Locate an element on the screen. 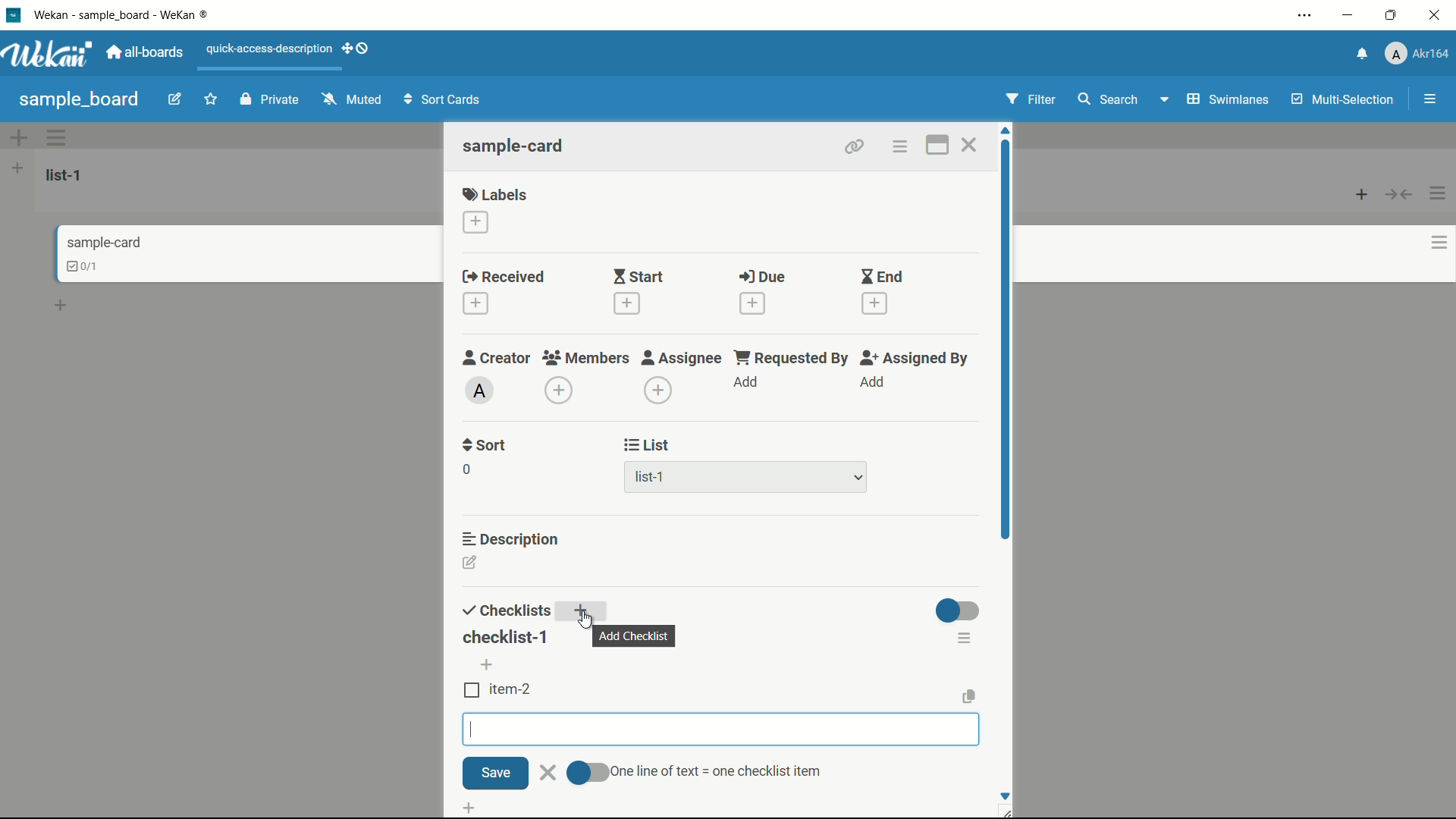 The image size is (1456, 819). end is located at coordinates (881, 278).